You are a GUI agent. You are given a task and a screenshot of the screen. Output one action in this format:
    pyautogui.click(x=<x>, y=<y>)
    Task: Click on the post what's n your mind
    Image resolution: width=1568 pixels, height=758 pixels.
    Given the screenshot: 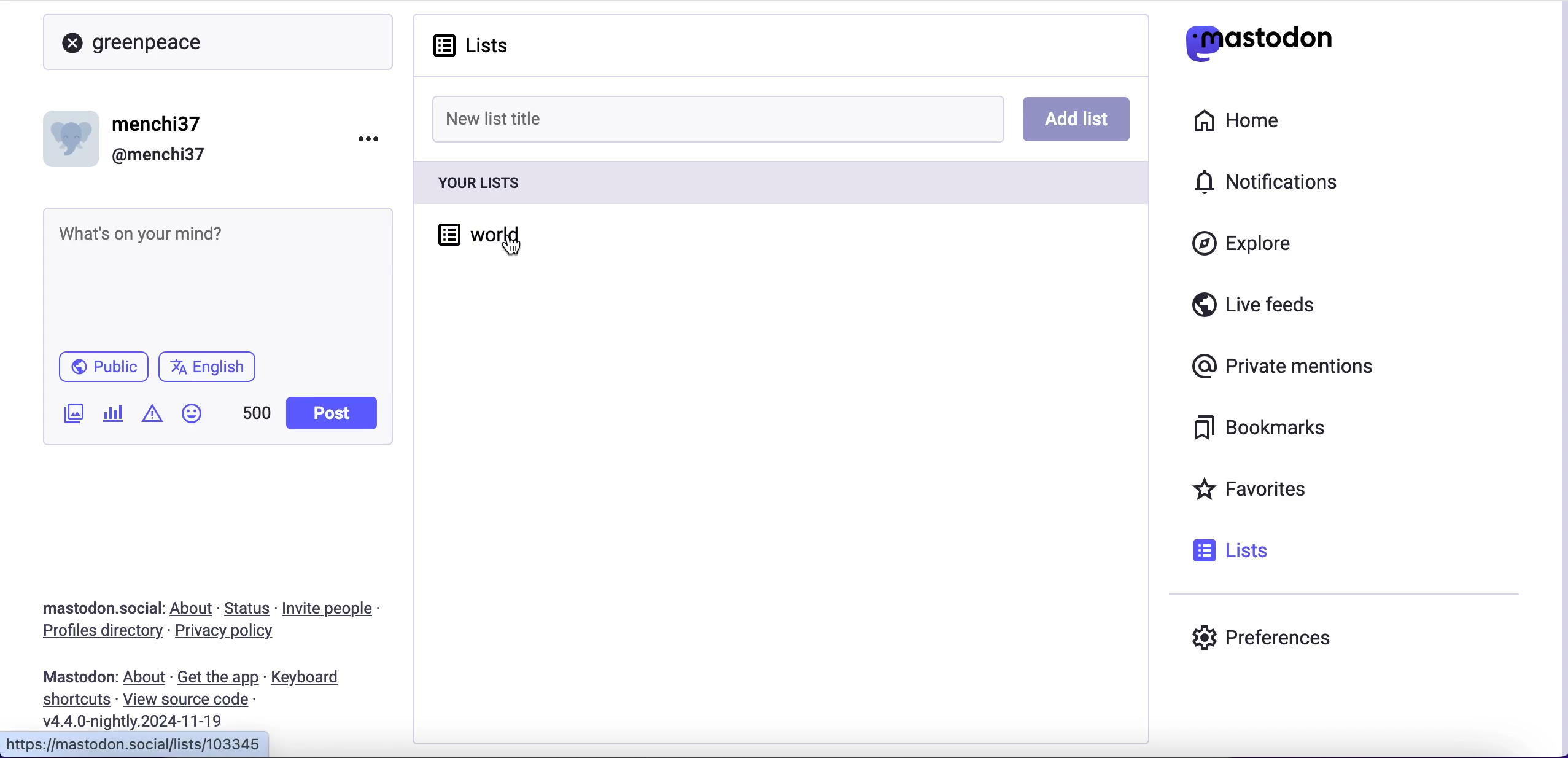 What is the action you would take?
    pyautogui.click(x=217, y=276)
    